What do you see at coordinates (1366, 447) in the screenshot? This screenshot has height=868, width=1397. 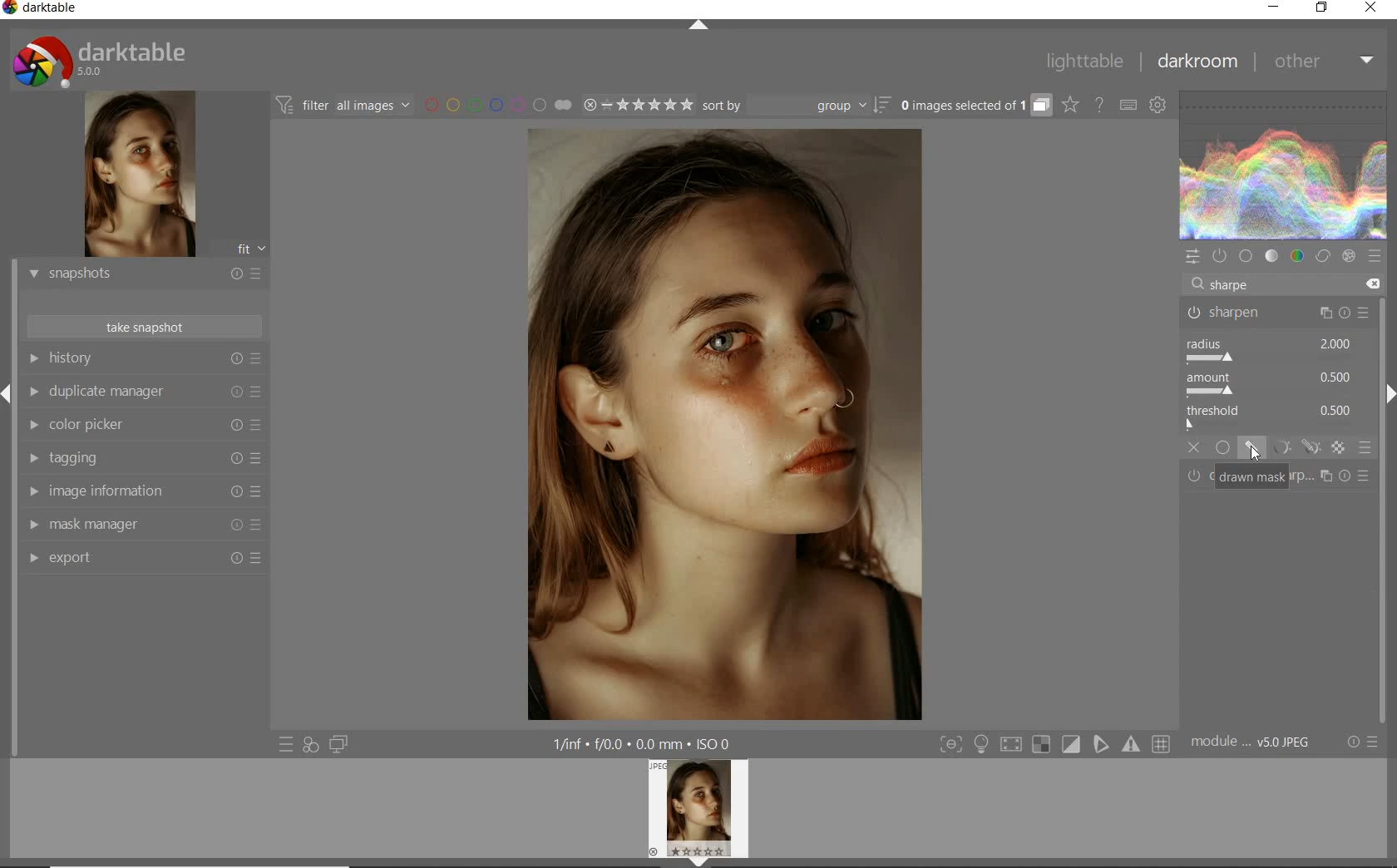 I see `BLENDING OPTIONS` at bounding box center [1366, 447].